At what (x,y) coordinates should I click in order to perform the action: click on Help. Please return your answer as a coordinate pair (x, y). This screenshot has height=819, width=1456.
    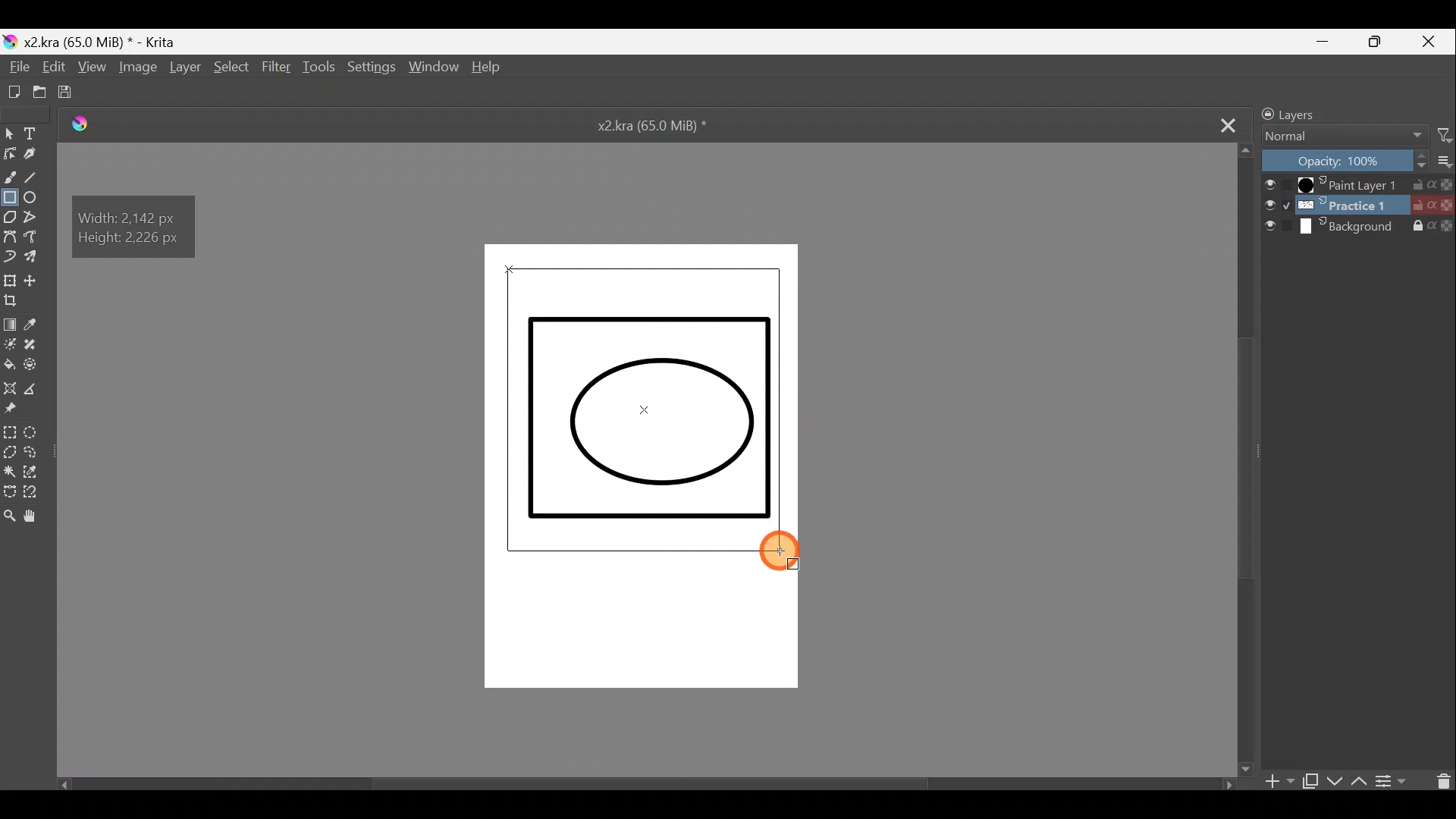
    Looking at the image, I should click on (493, 70).